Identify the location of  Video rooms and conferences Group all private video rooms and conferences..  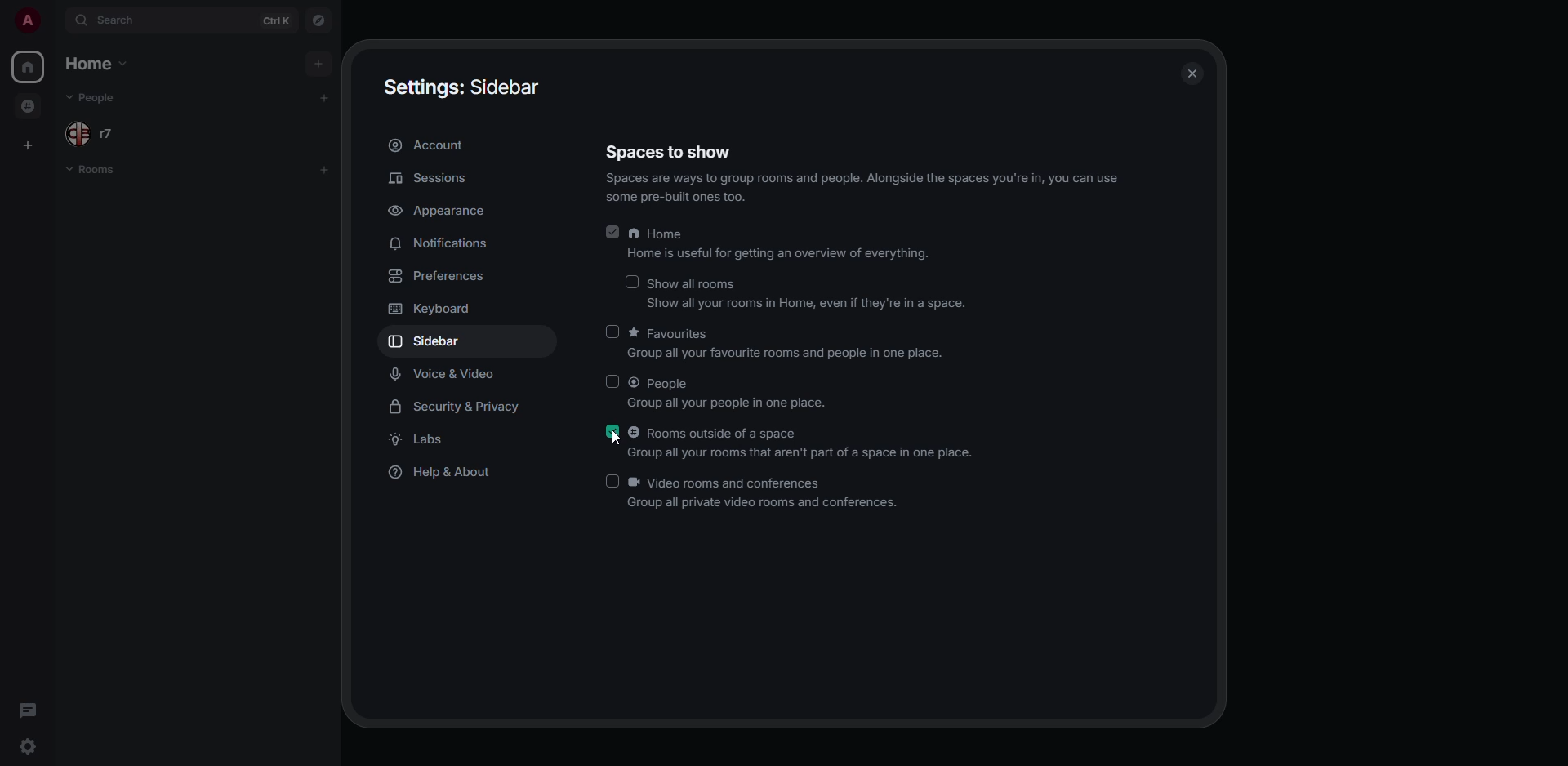
(769, 492).